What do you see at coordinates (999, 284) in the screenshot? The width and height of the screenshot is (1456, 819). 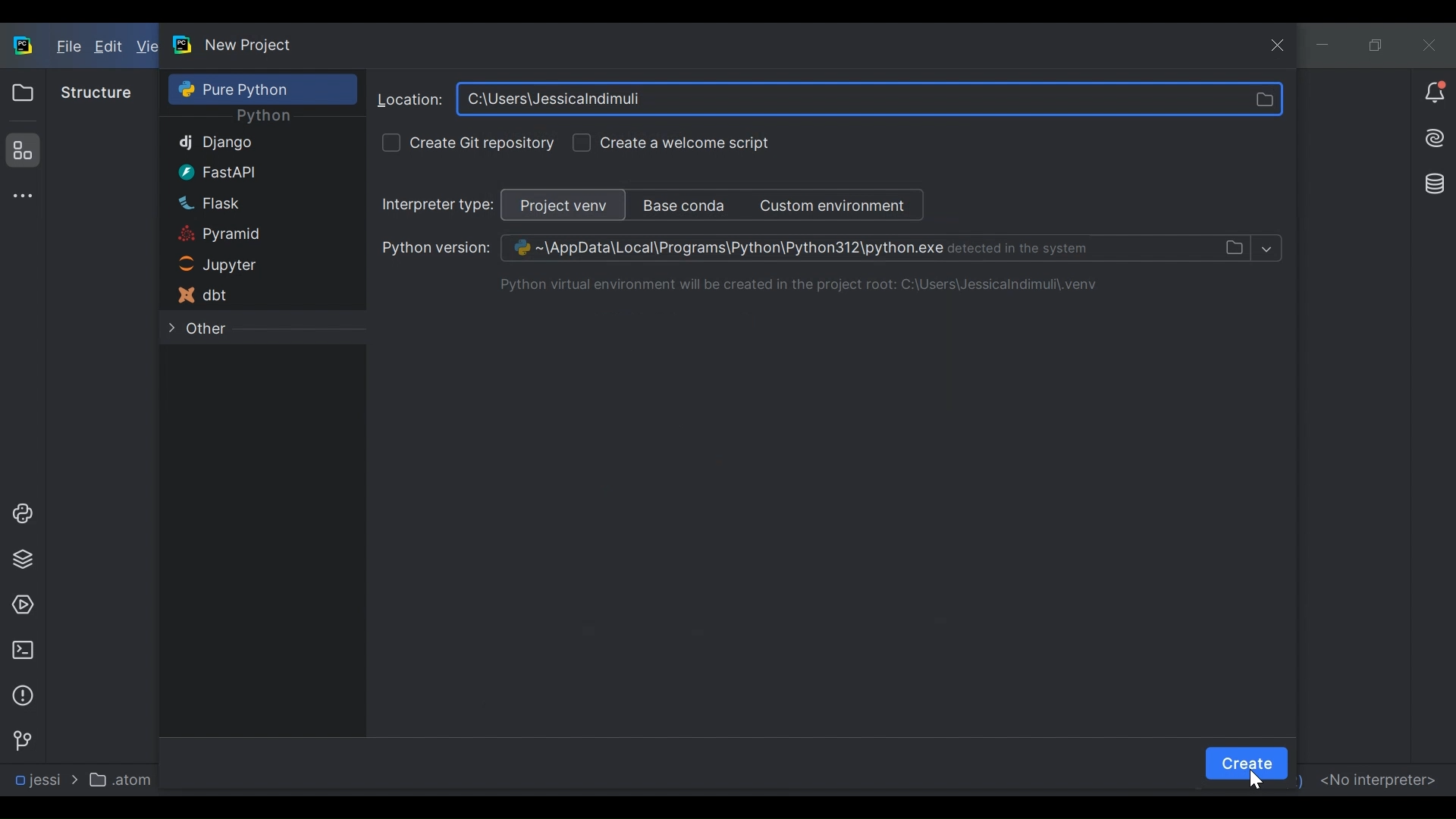 I see `Directories` at bounding box center [999, 284].